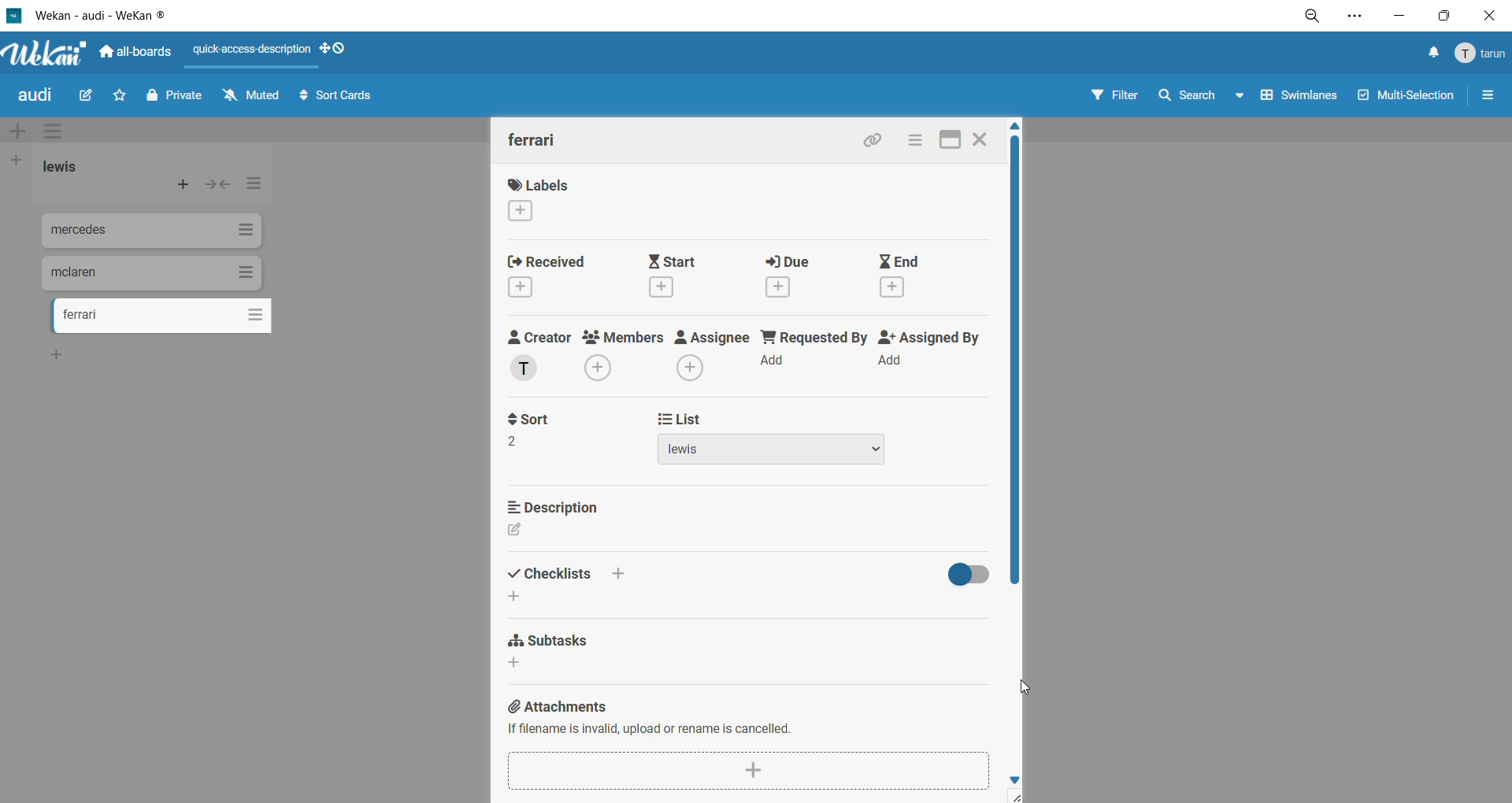 Image resolution: width=1512 pixels, height=803 pixels. I want to click on add, so click(522, 663).